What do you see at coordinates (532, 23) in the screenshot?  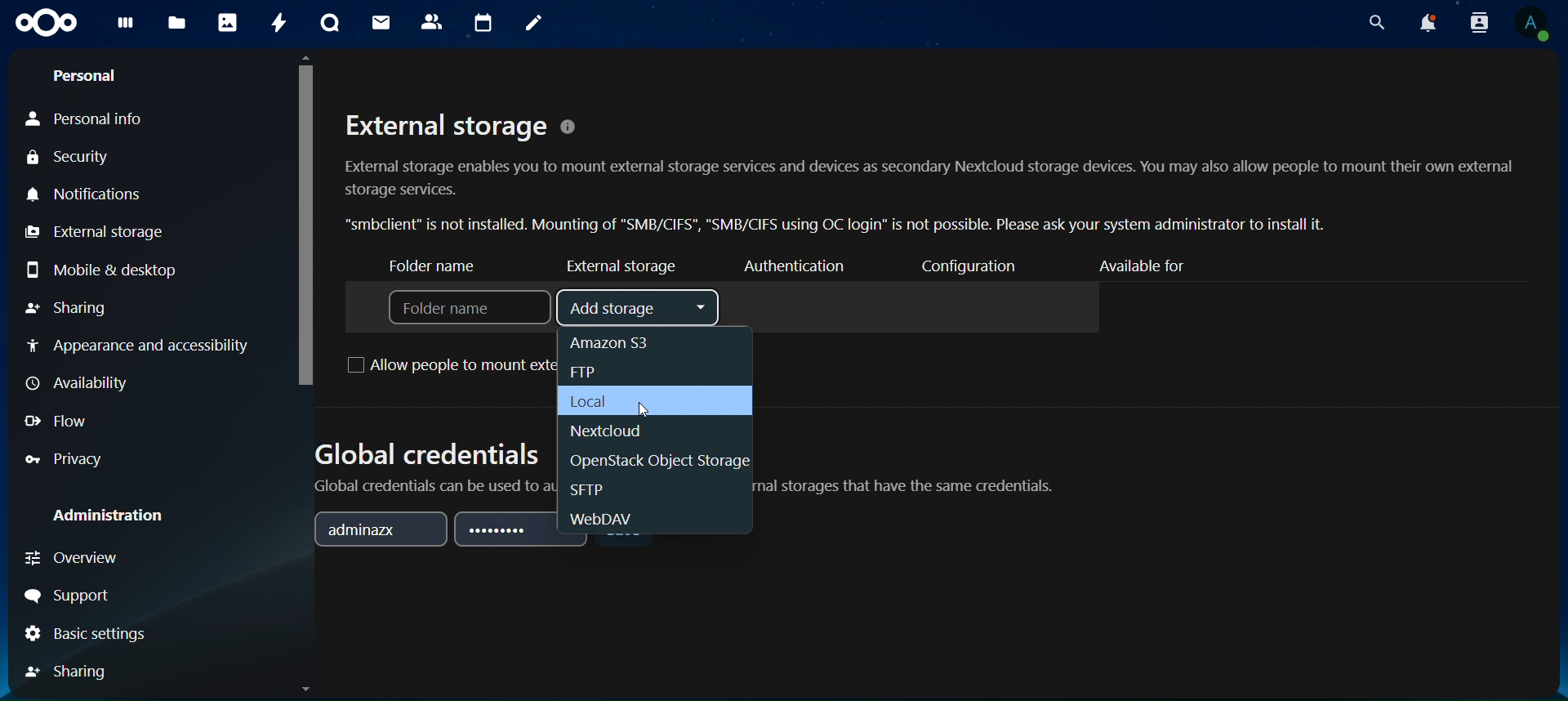 I see `notes` at bounding box center [532, 23].